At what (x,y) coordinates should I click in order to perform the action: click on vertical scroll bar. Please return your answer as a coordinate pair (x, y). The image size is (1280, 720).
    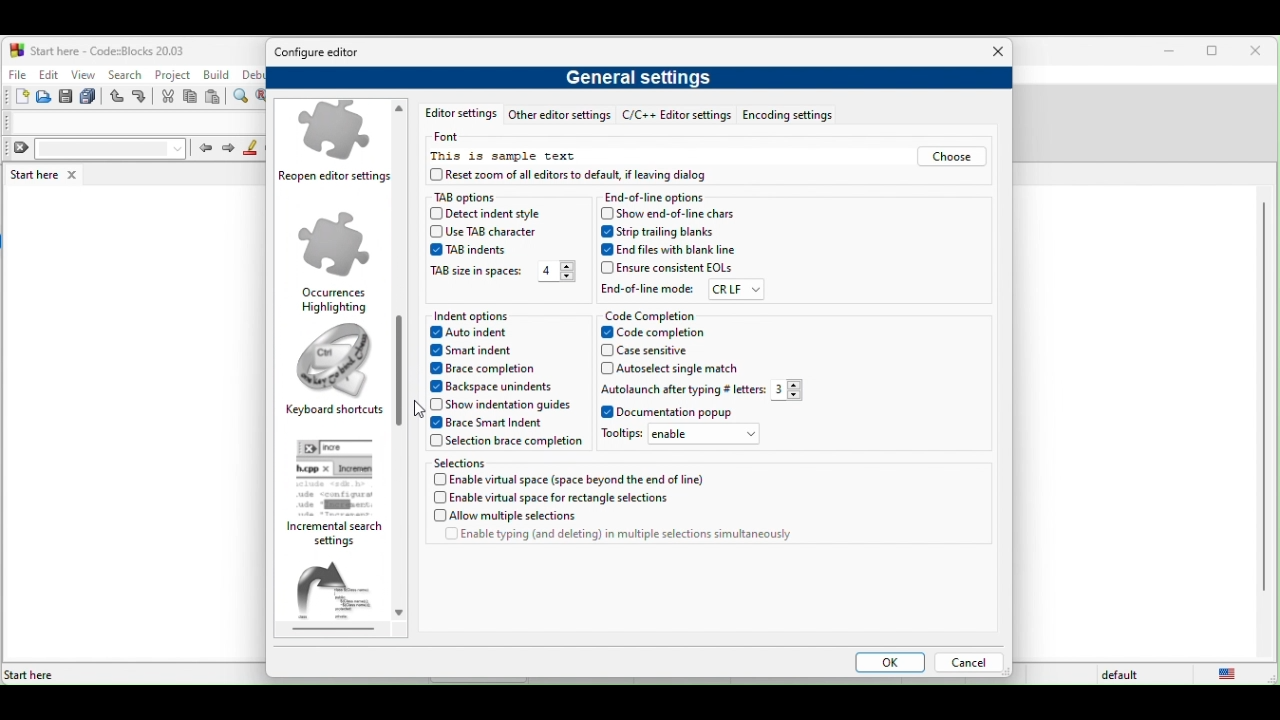
    Looking at the image, I should click on (1262, 398).